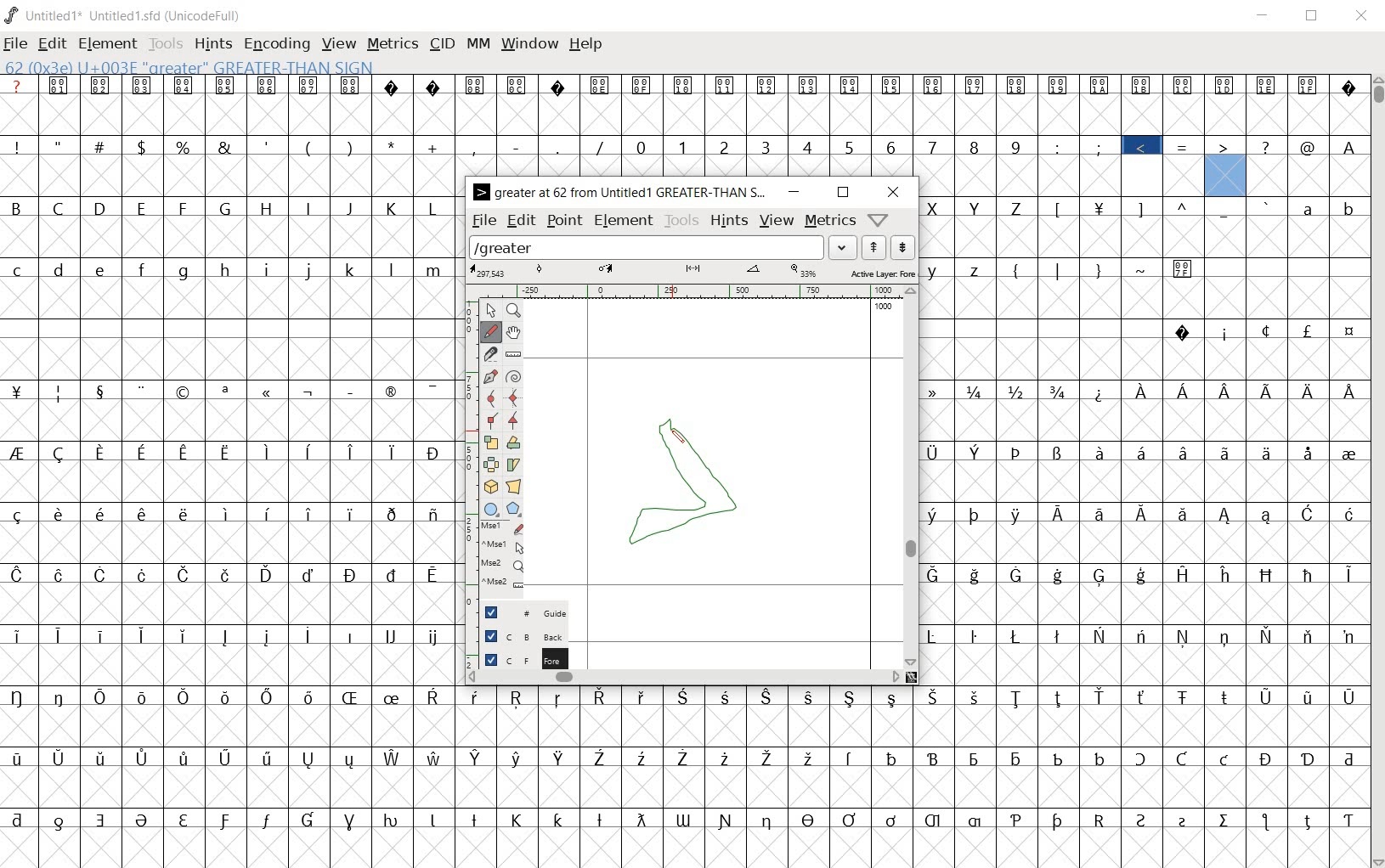 The image size is (1385, 868). Describe the element at coordinates (843, 192) in the screenshot. I see `restore down` at that location.